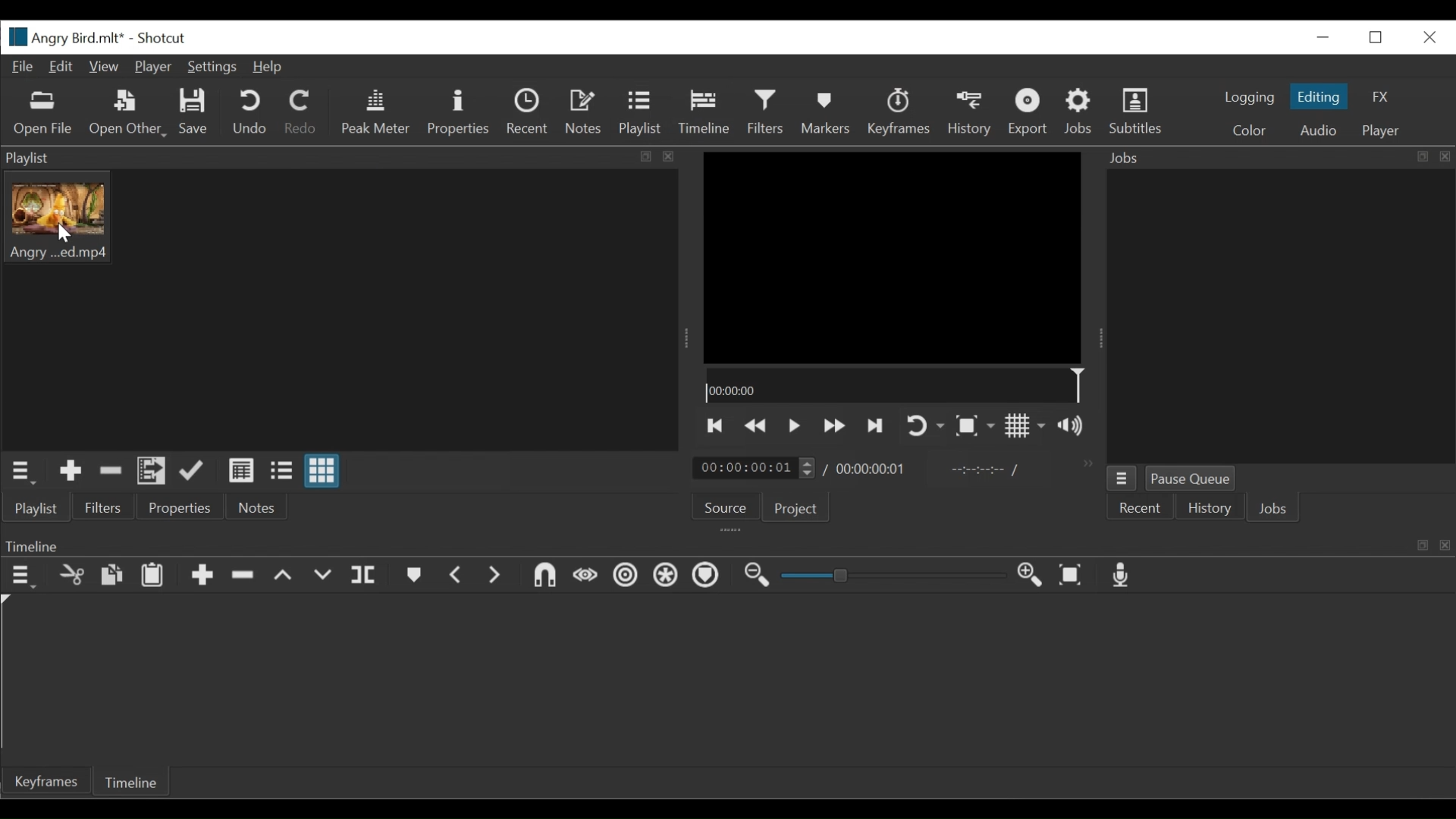 The image size is (1456, 819). Describe the element at coordinates (64, 37) in the screenshot. I see `File name` at that location.